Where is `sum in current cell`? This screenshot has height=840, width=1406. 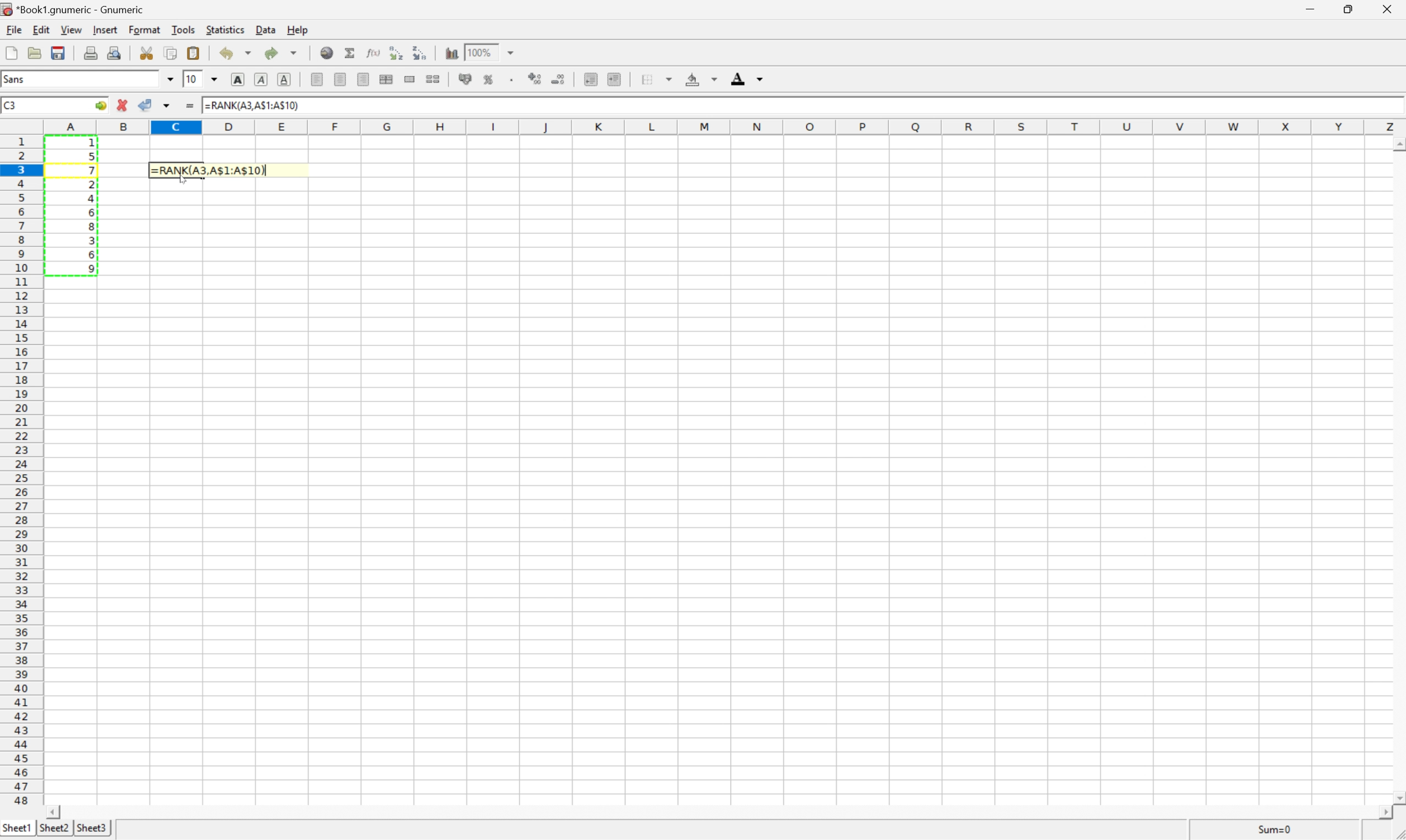
sum in current cell is located at coordinates (350, 52).